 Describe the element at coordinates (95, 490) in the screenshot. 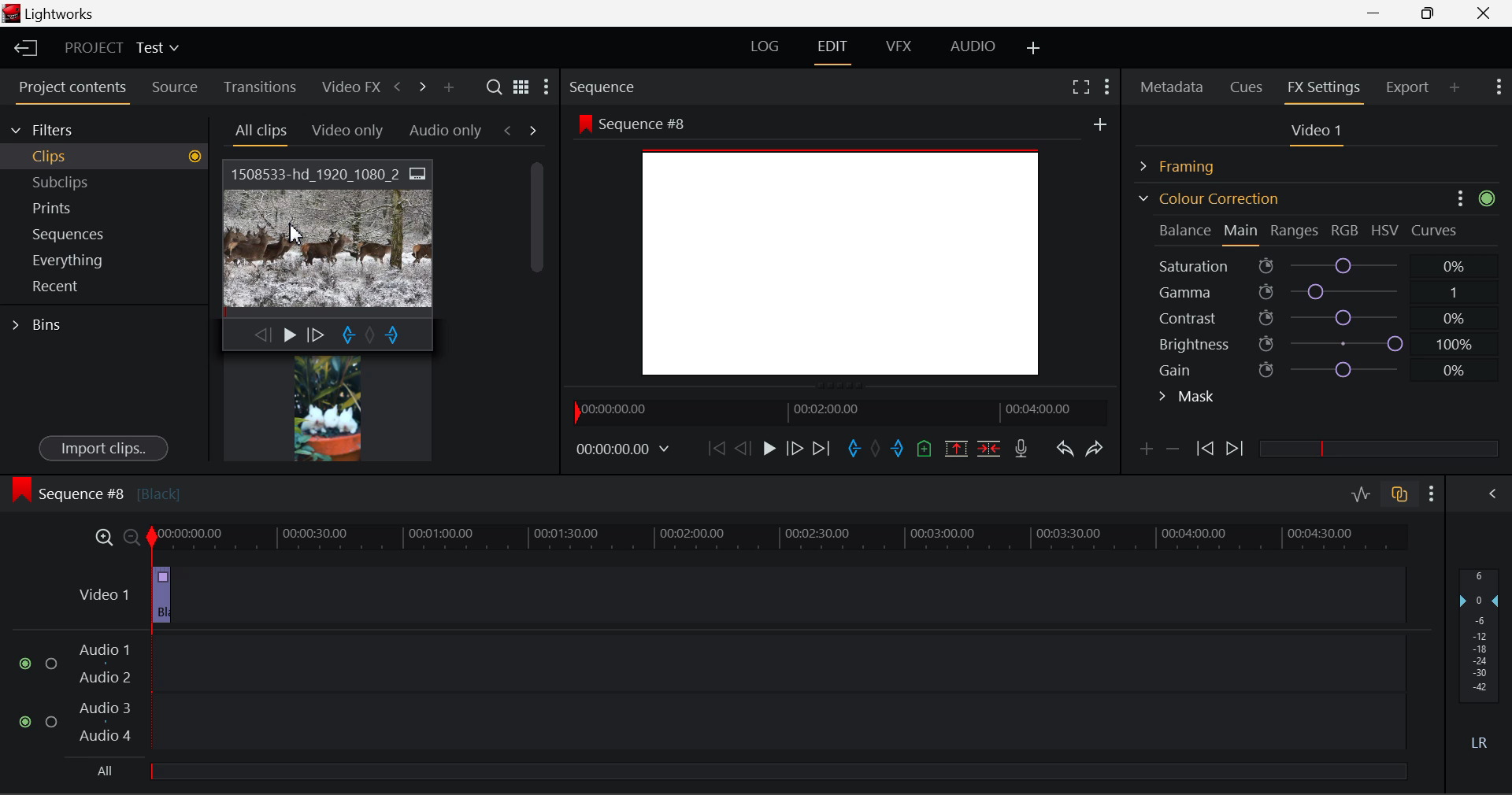

I see `Sequence #8` at that location.